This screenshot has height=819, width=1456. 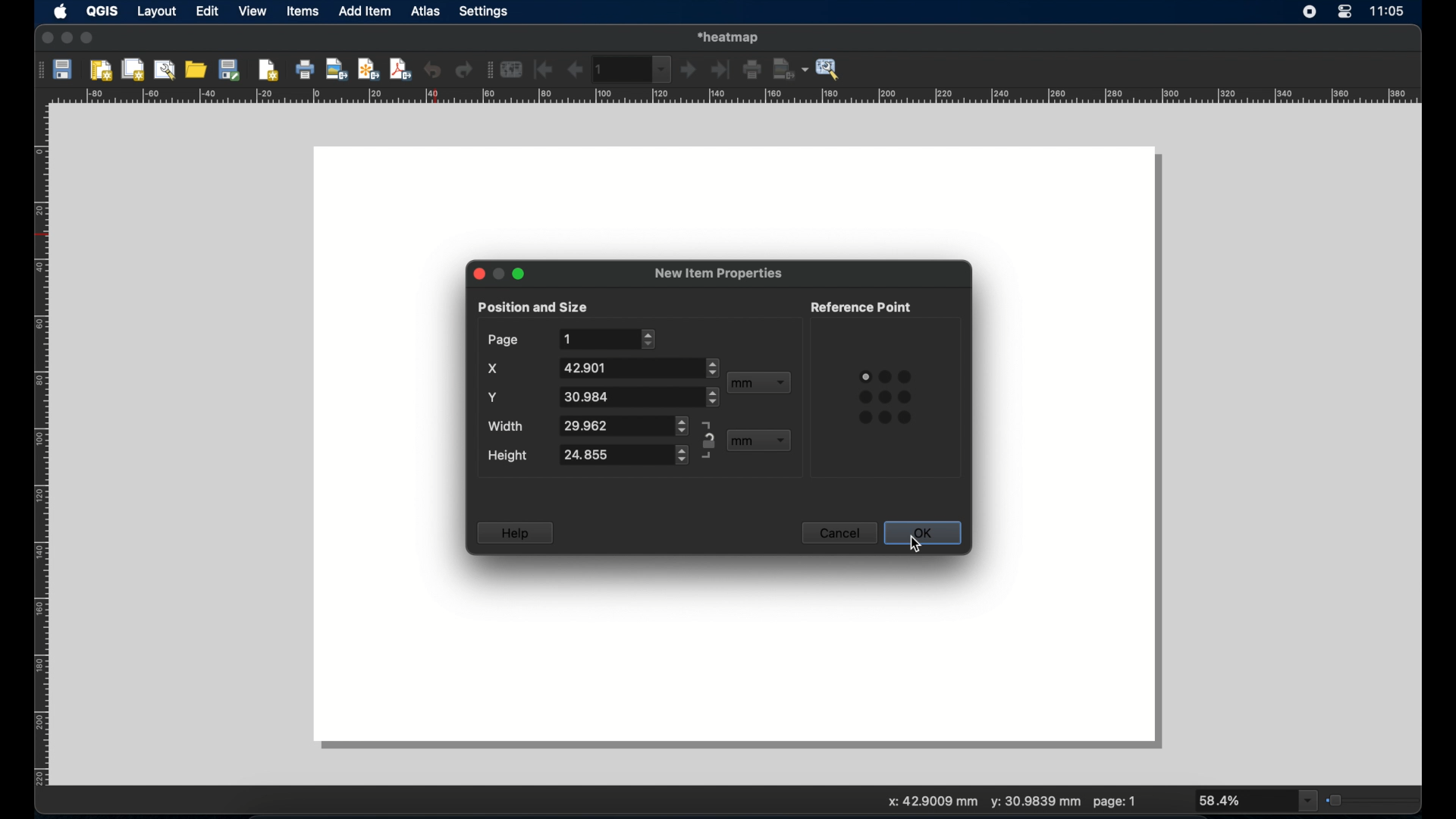 I want to click on page, so click(x=503, y=340).